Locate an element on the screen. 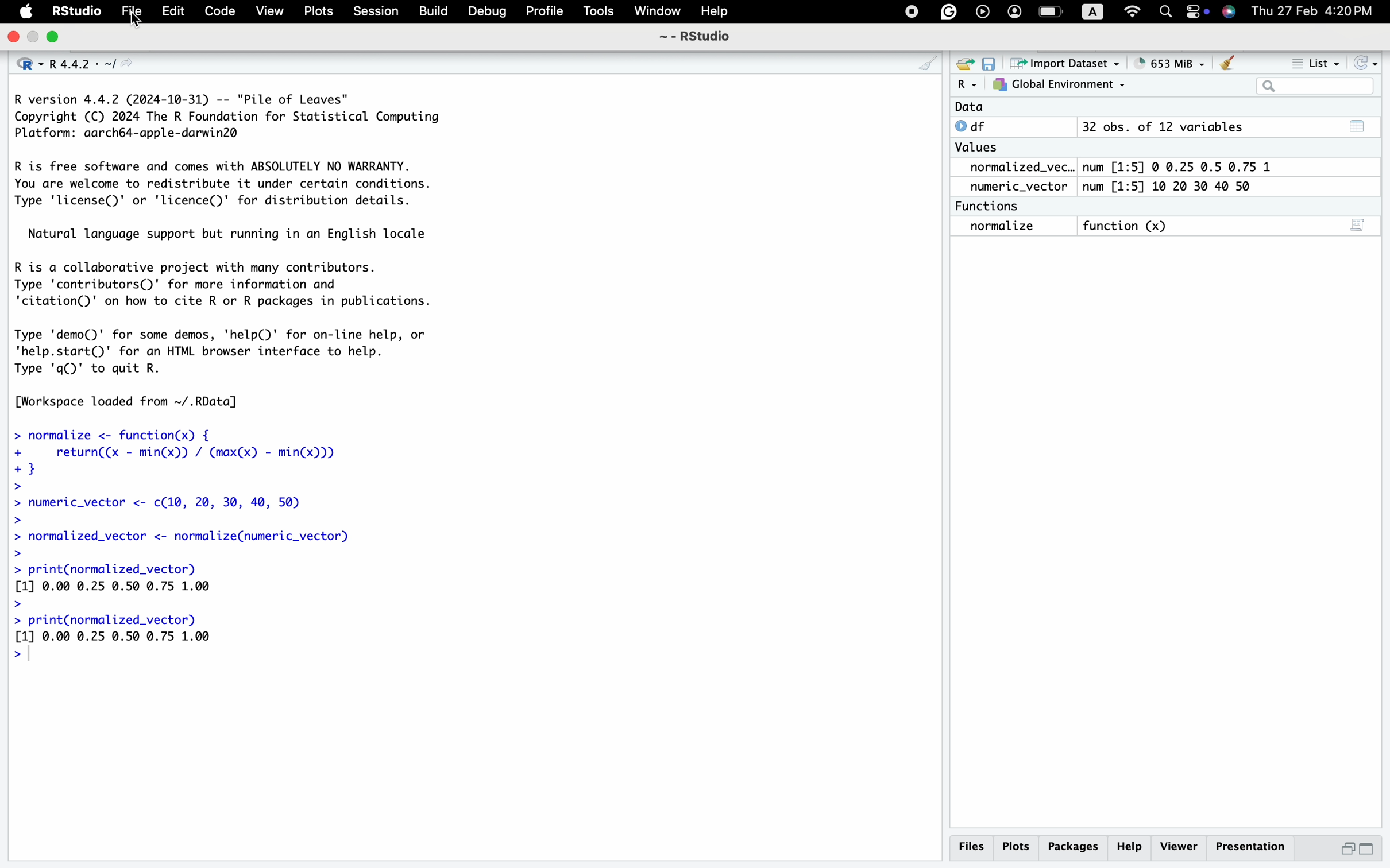 The width and height of the screenshot is (1390, 868). Normalize is located at coordinates (1004, 227).